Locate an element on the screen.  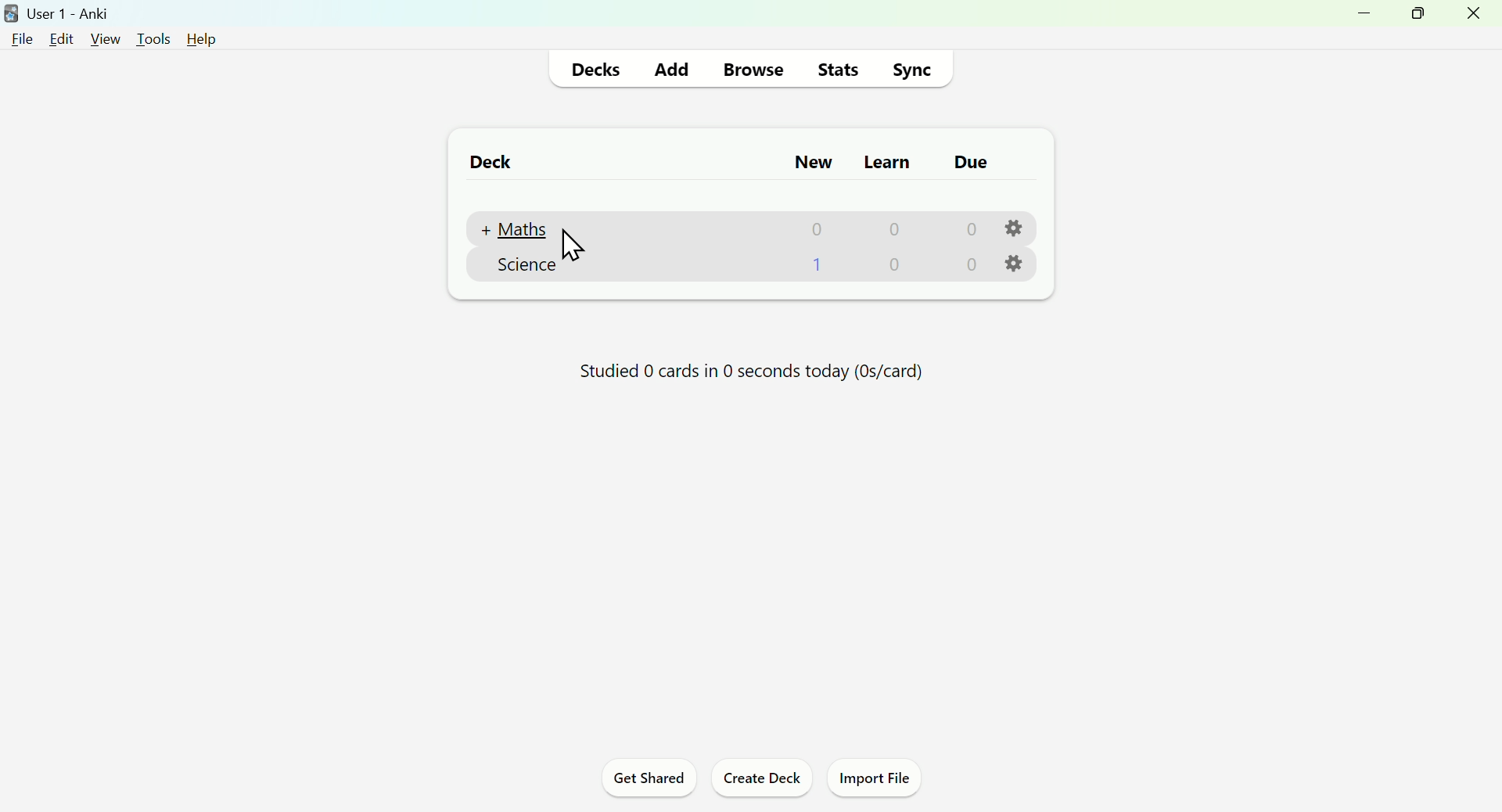
user1-anki is located at coordinates (58, 13).